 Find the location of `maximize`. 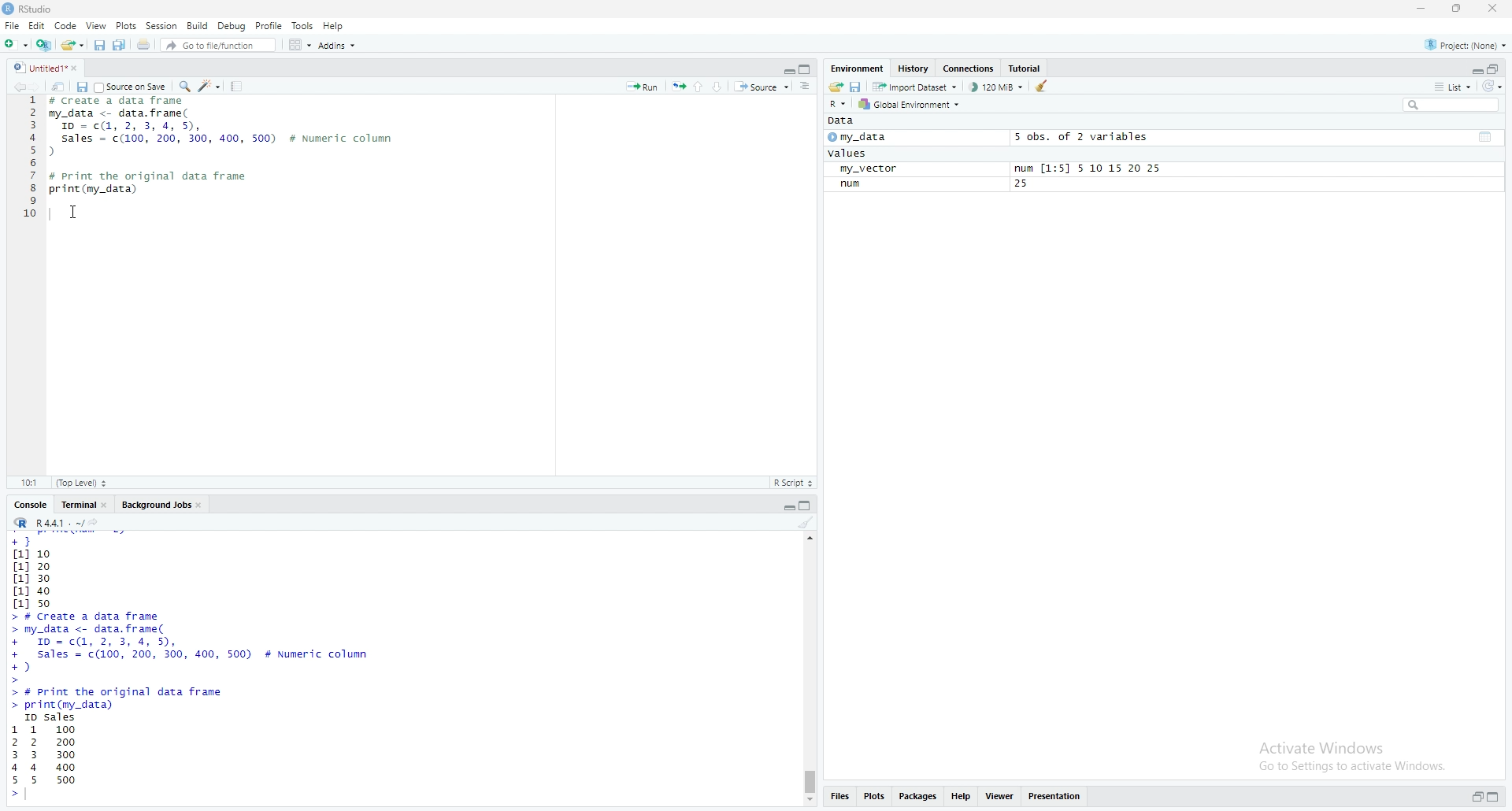

maximize is located at coordinates (1497, 794).